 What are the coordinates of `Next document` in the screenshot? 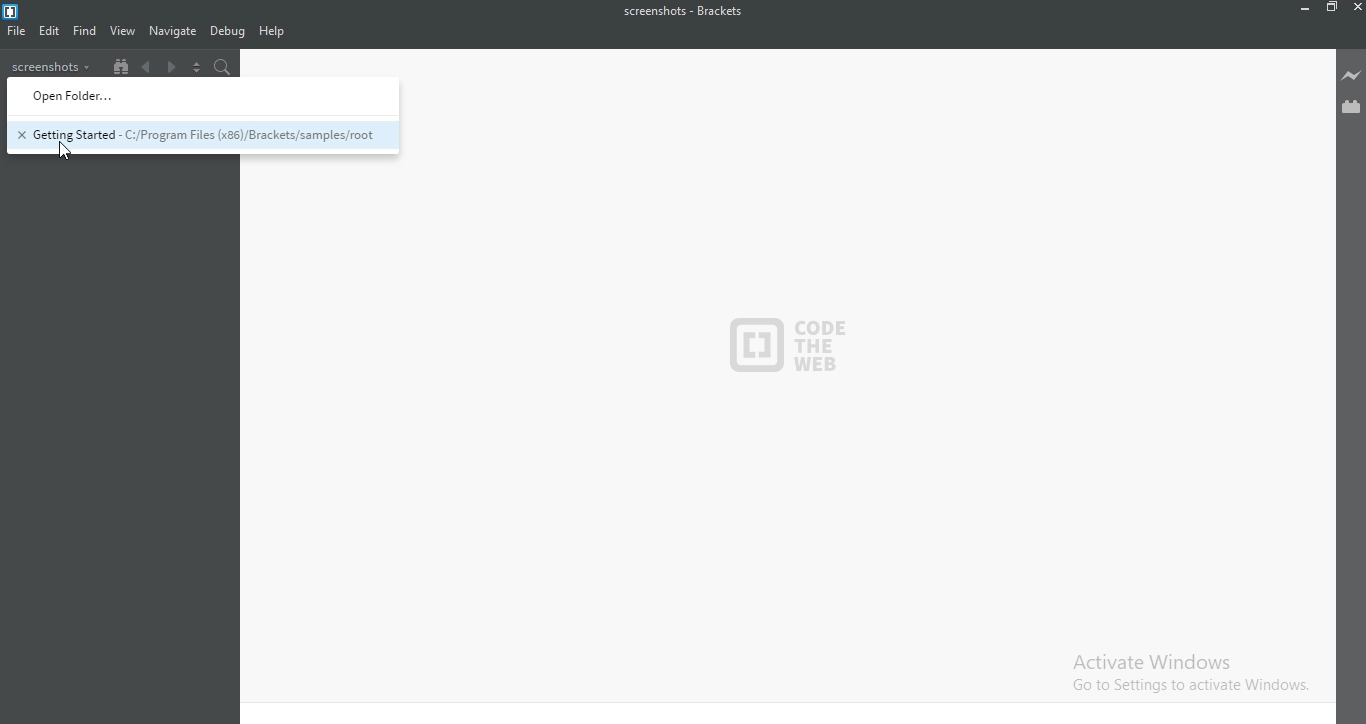 It's located at (172, 65).